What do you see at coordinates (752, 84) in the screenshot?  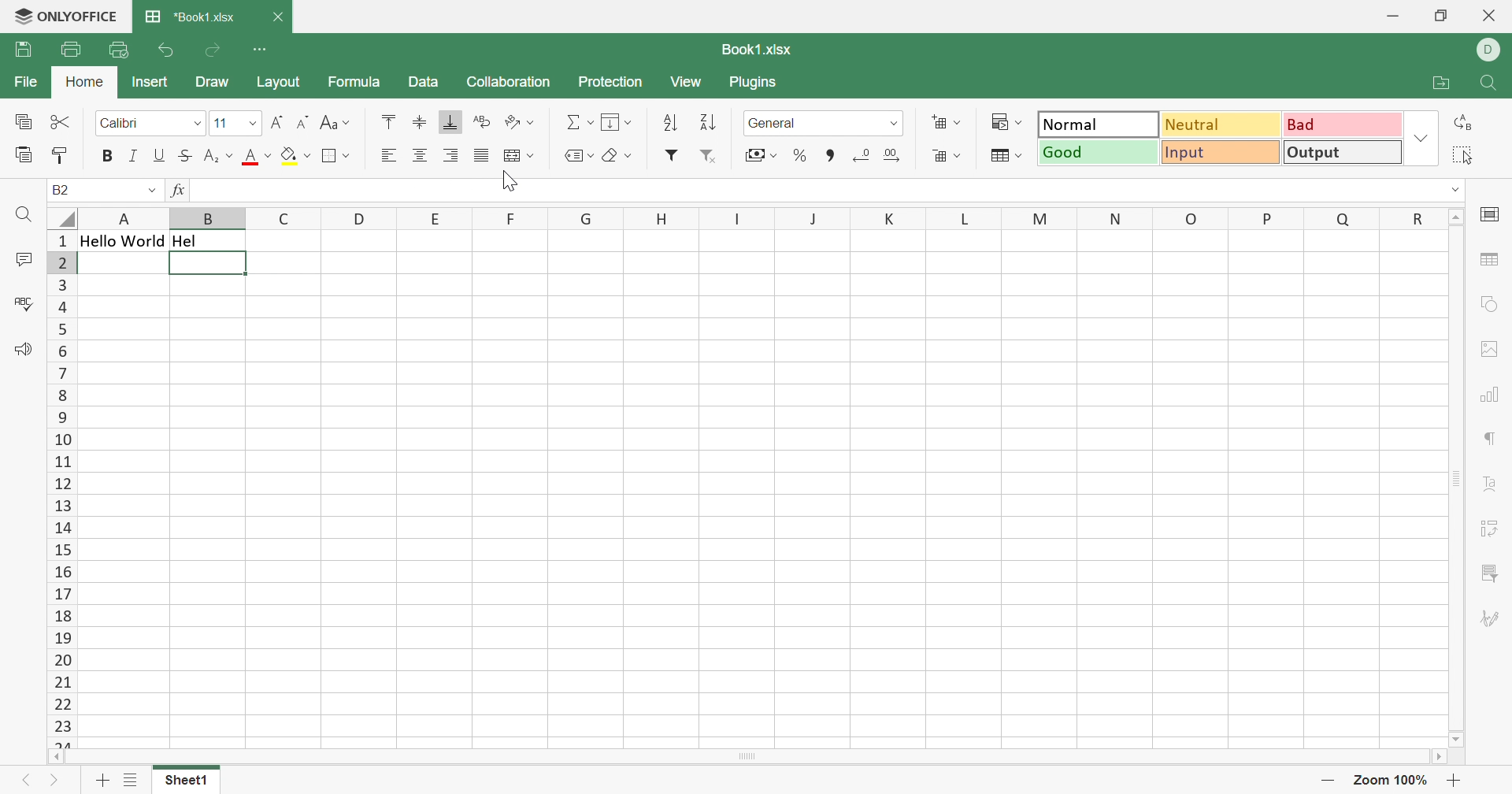 I see `Plugins` at bounding box center [752, 84].